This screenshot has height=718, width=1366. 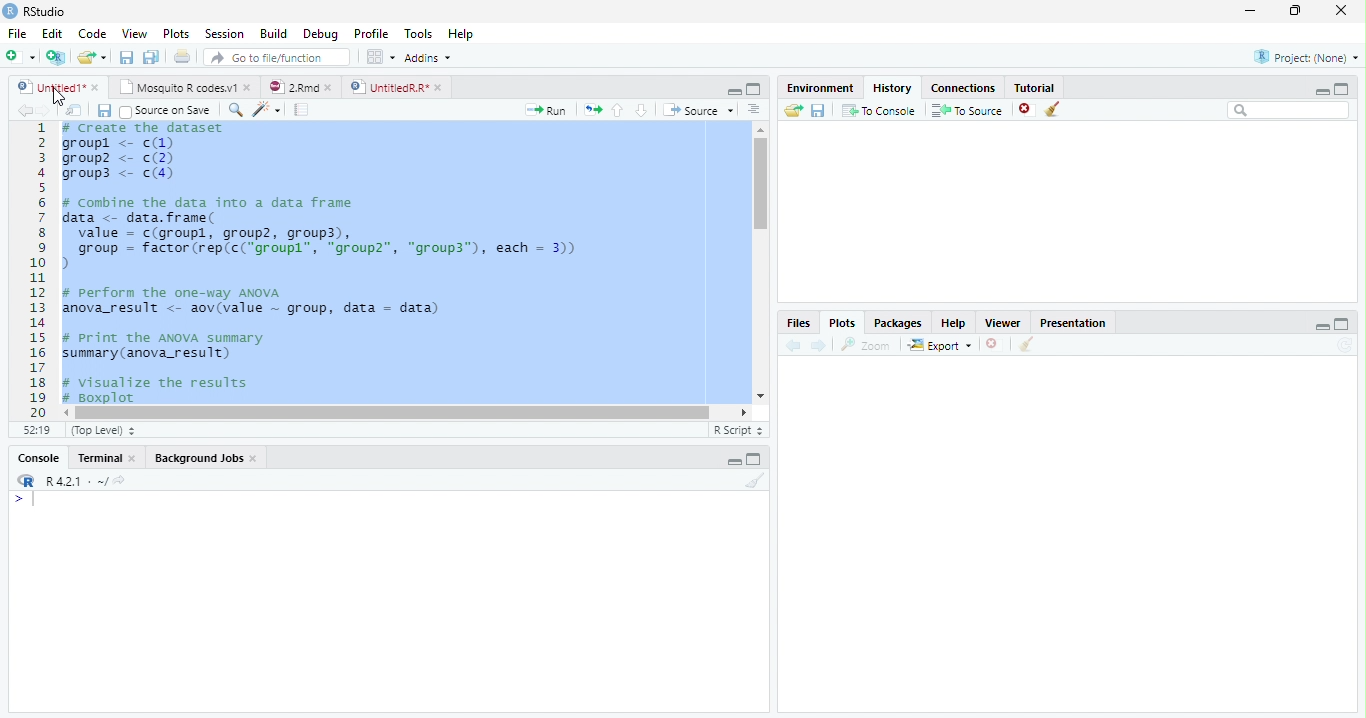 I want to click on Viewer, so click(x=1005, y=322).